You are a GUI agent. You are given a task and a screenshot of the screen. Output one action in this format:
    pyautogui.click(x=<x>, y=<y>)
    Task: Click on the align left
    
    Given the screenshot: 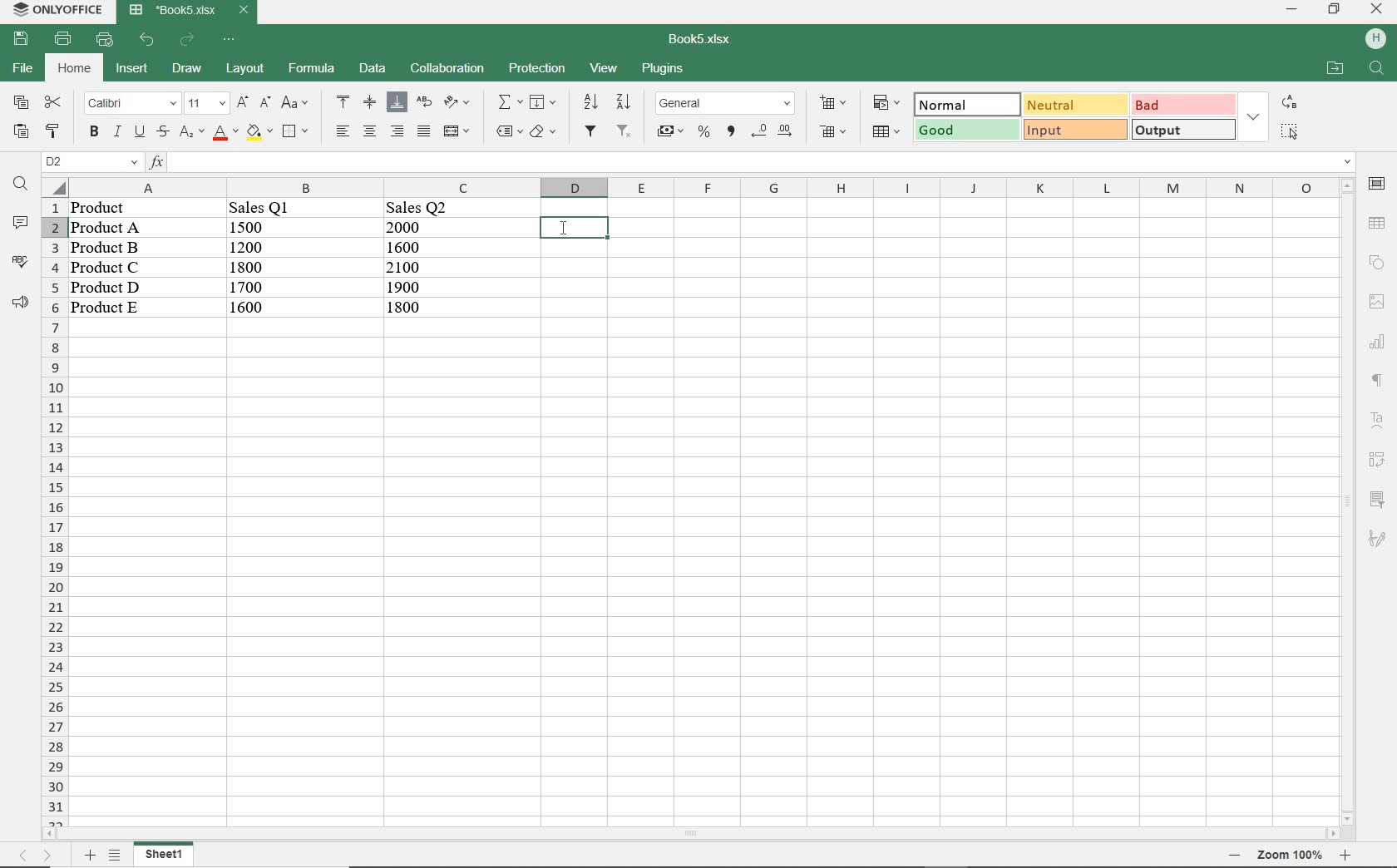 What is the action you would take?
    pyautogui.click(x=397, y=131)
    